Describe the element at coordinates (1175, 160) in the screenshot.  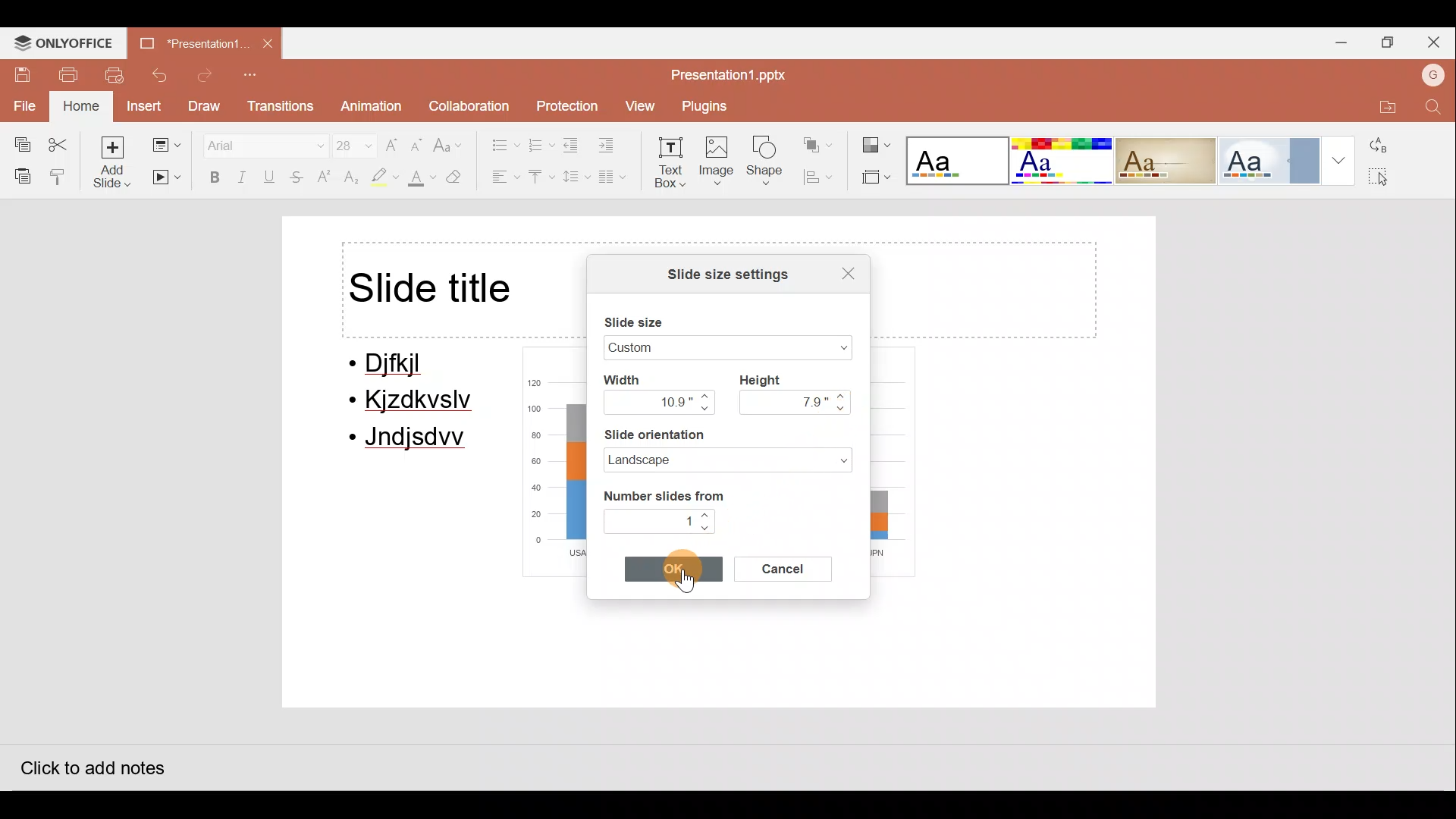
I see `Theme 3` at that location.